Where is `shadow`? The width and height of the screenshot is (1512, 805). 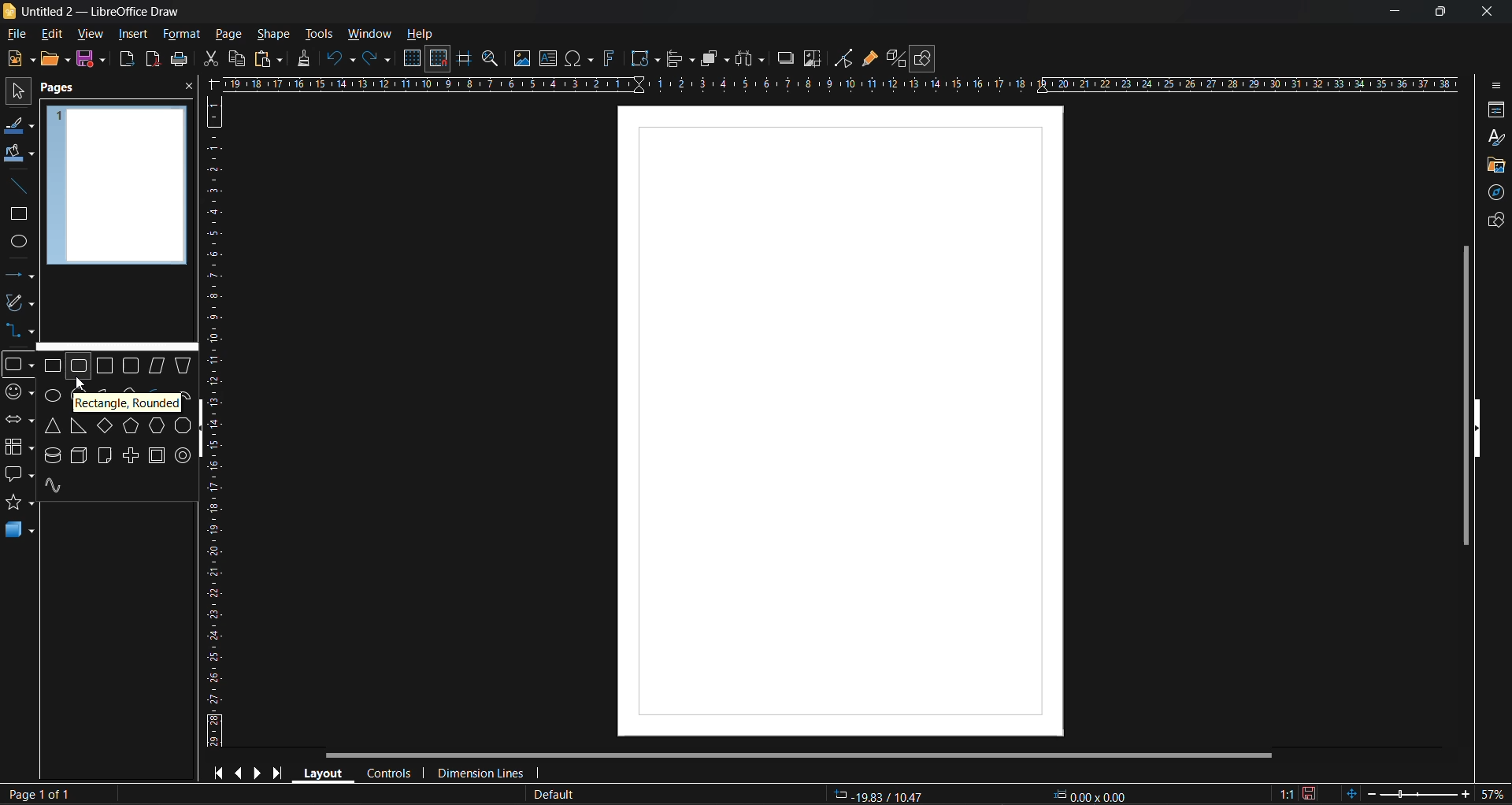
shadow is located at coordinates (787, 58).